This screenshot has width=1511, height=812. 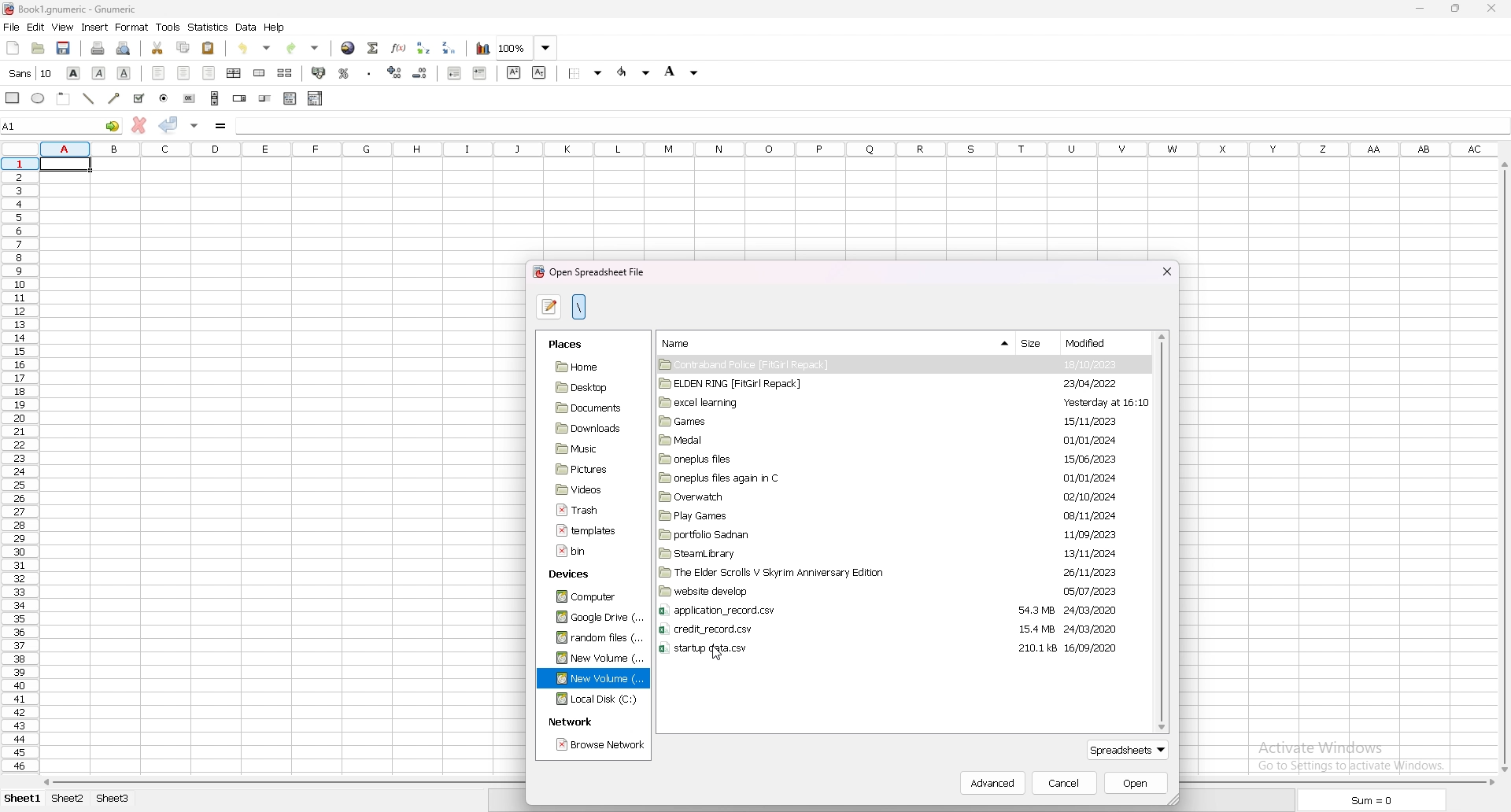 I want to click on percentage, so click(x=344, y=72).